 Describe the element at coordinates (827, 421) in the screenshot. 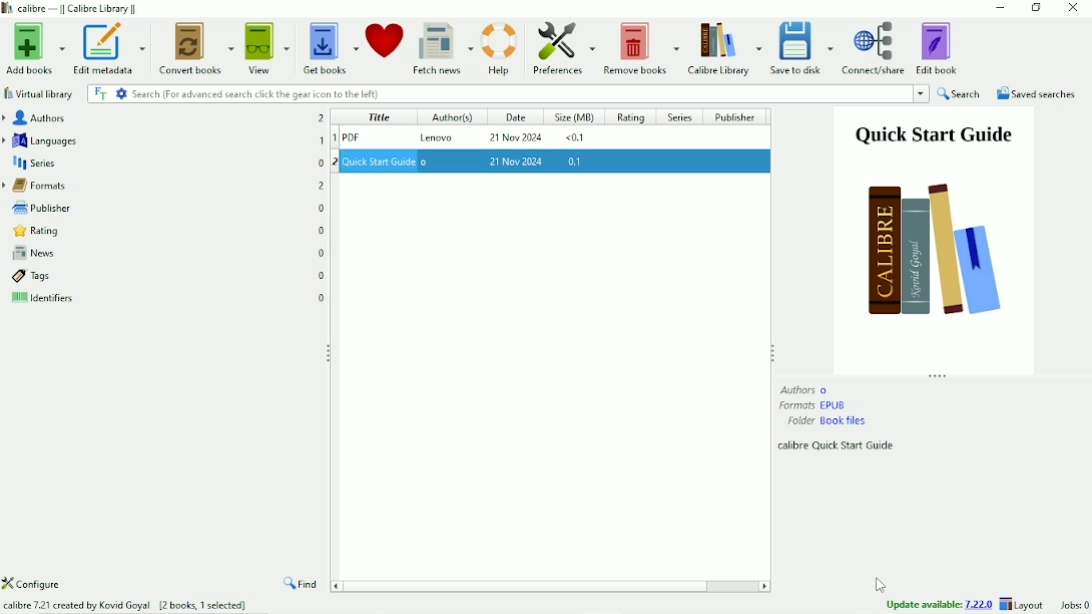

I see `Folder` at that location.